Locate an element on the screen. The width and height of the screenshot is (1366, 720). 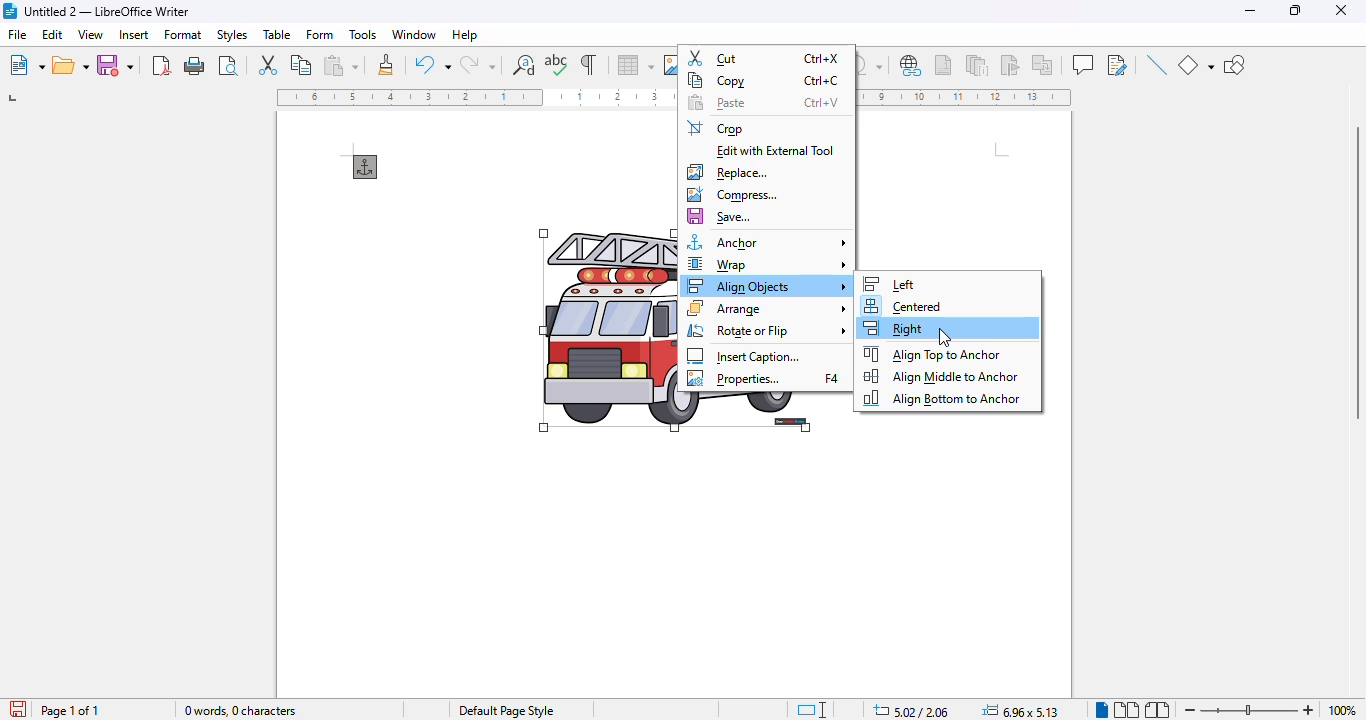
multi-page view is located at coordinates (1127, 710).